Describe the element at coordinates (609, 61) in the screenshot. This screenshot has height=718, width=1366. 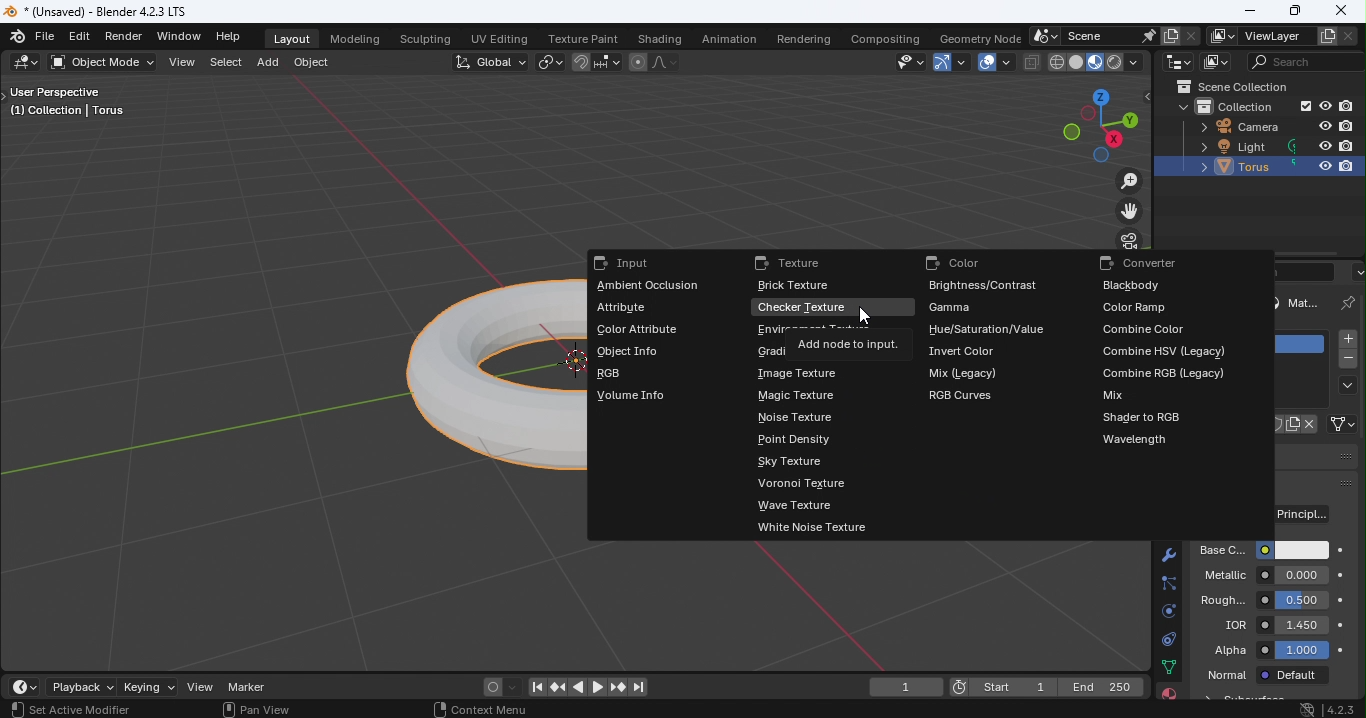
I see `Snapping` at that location.